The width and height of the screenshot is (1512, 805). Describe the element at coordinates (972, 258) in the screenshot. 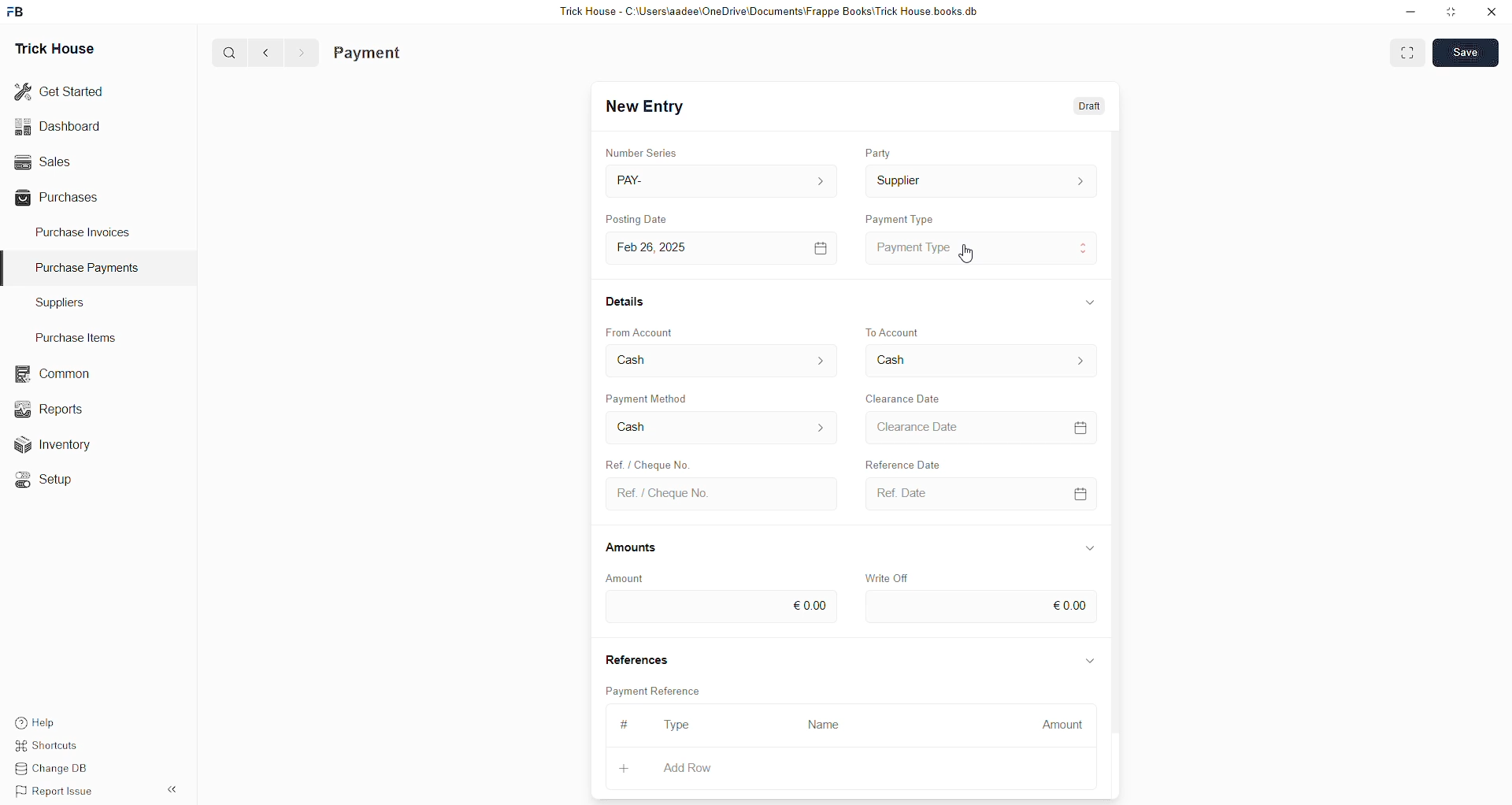

I see `cursor` at that location.